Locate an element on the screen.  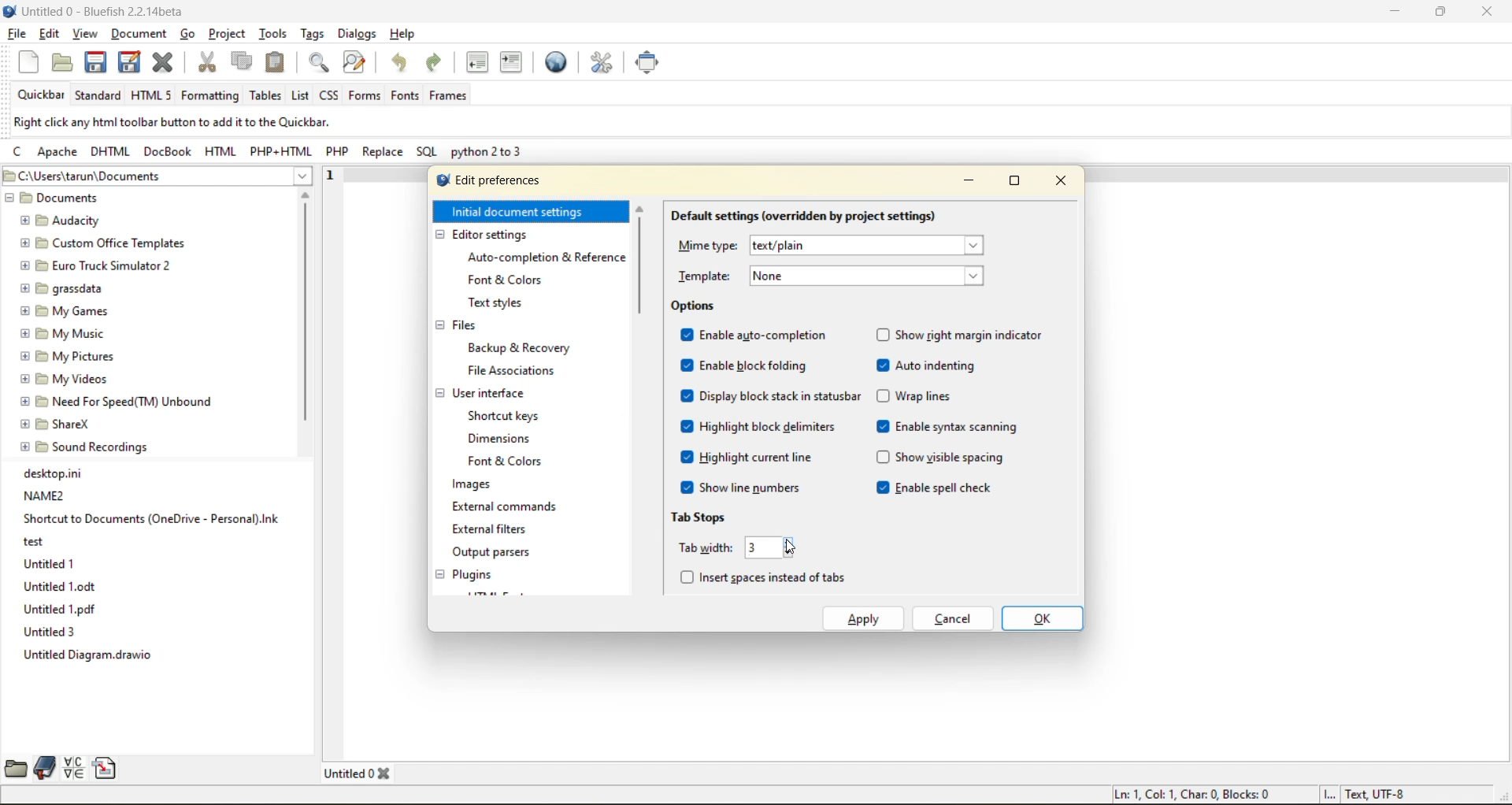
tools is located at coordinates (274, 33).